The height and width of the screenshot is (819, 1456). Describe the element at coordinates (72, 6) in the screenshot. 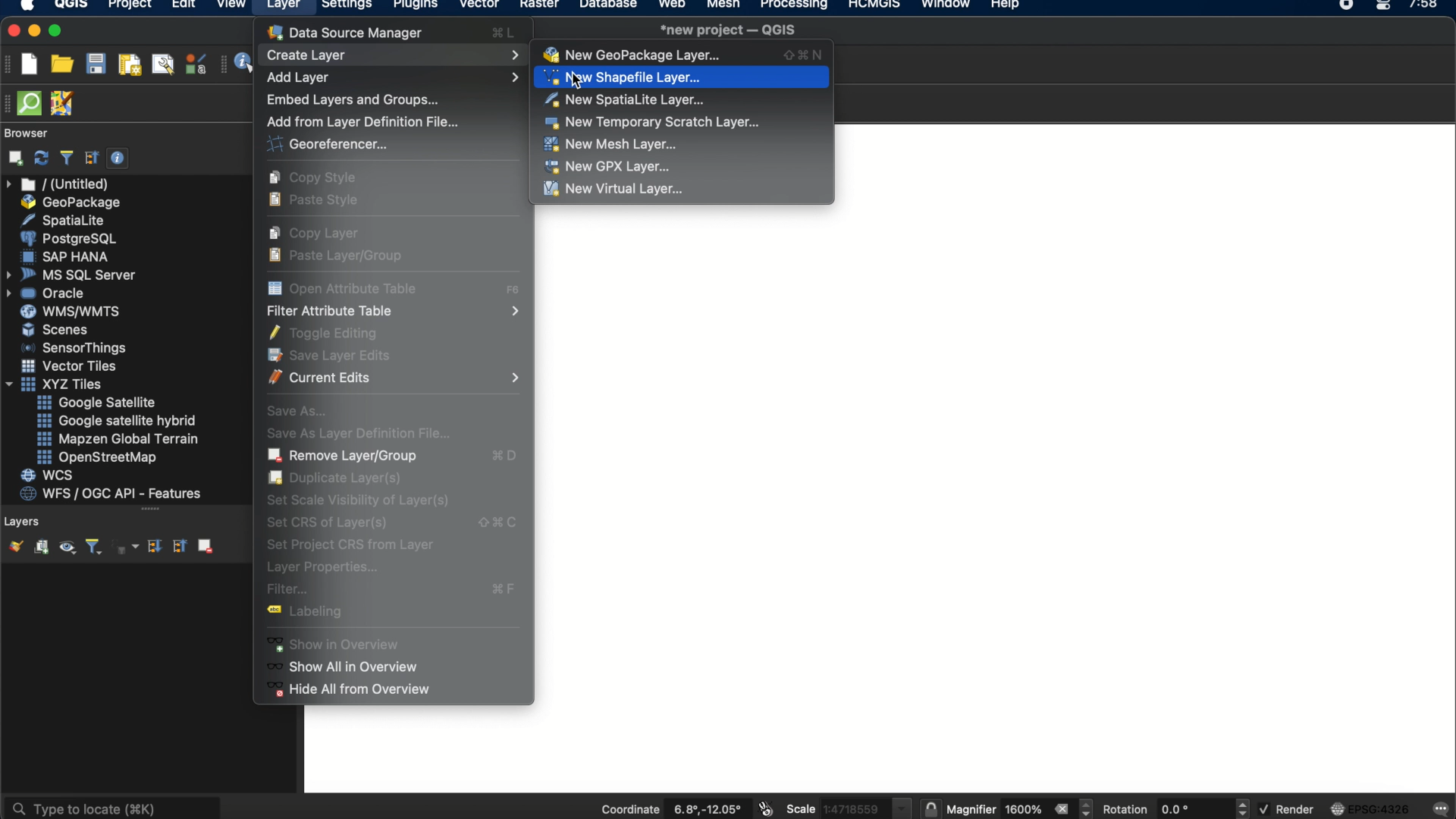

I see `QGIS` at that location.